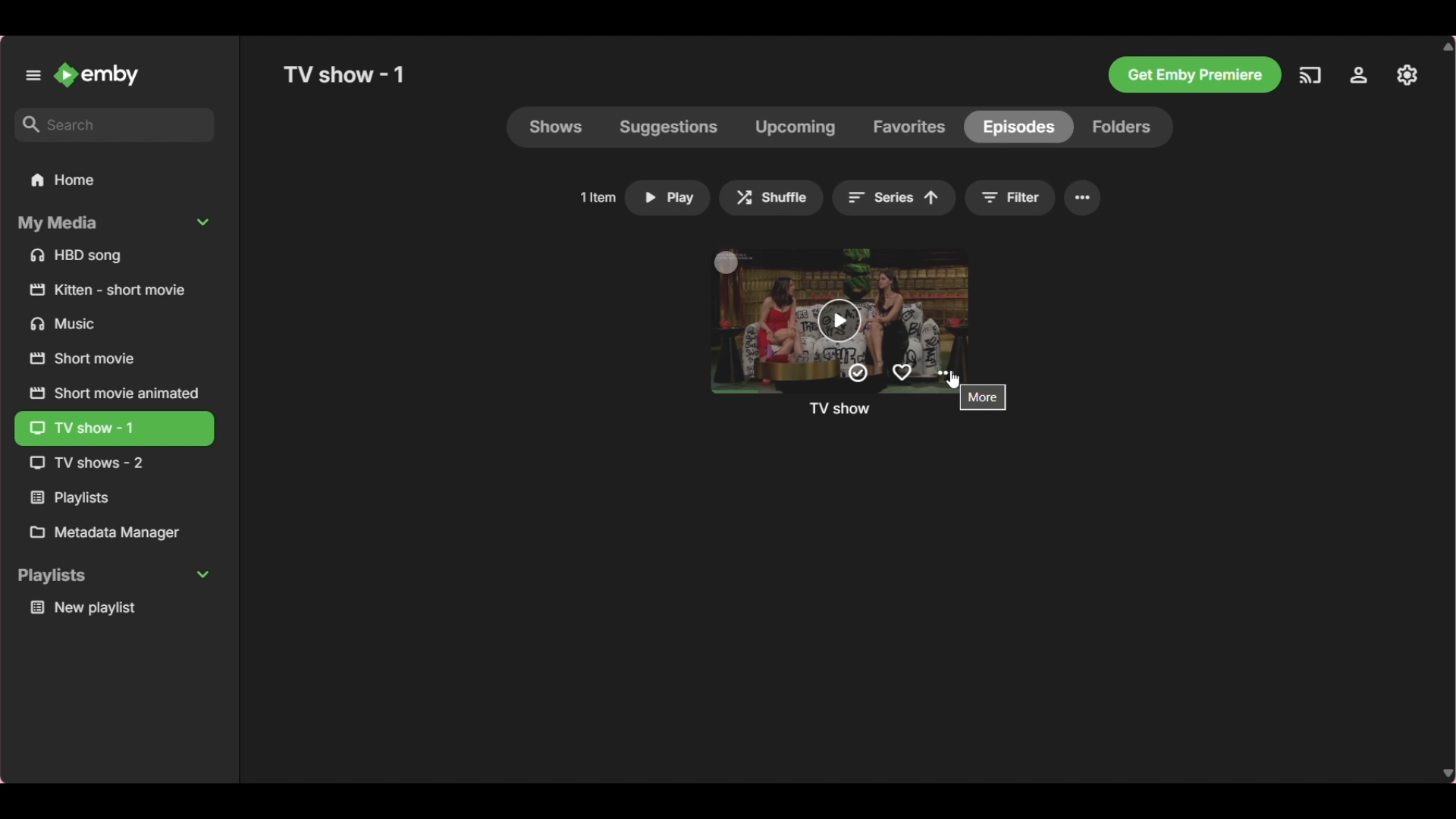  I want to click on Upcoming, so click(795, 127).